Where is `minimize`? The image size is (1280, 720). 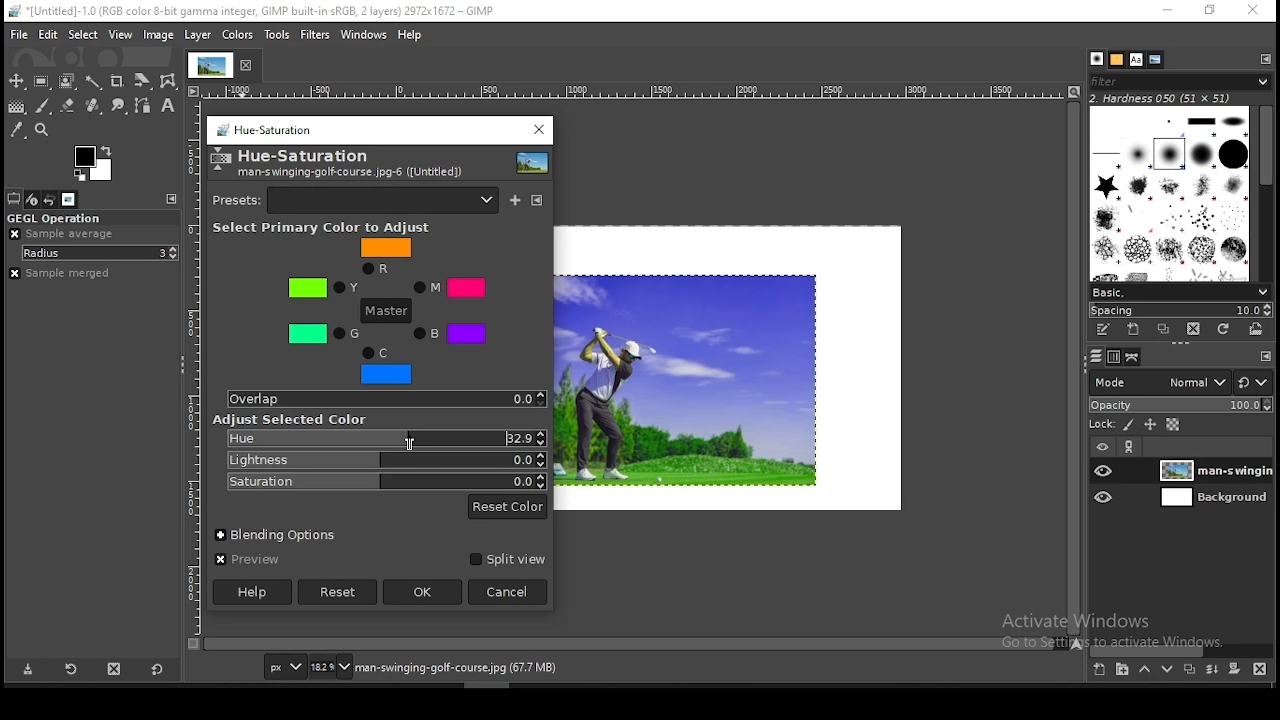
minimize is located at coordinates (1171, 10).